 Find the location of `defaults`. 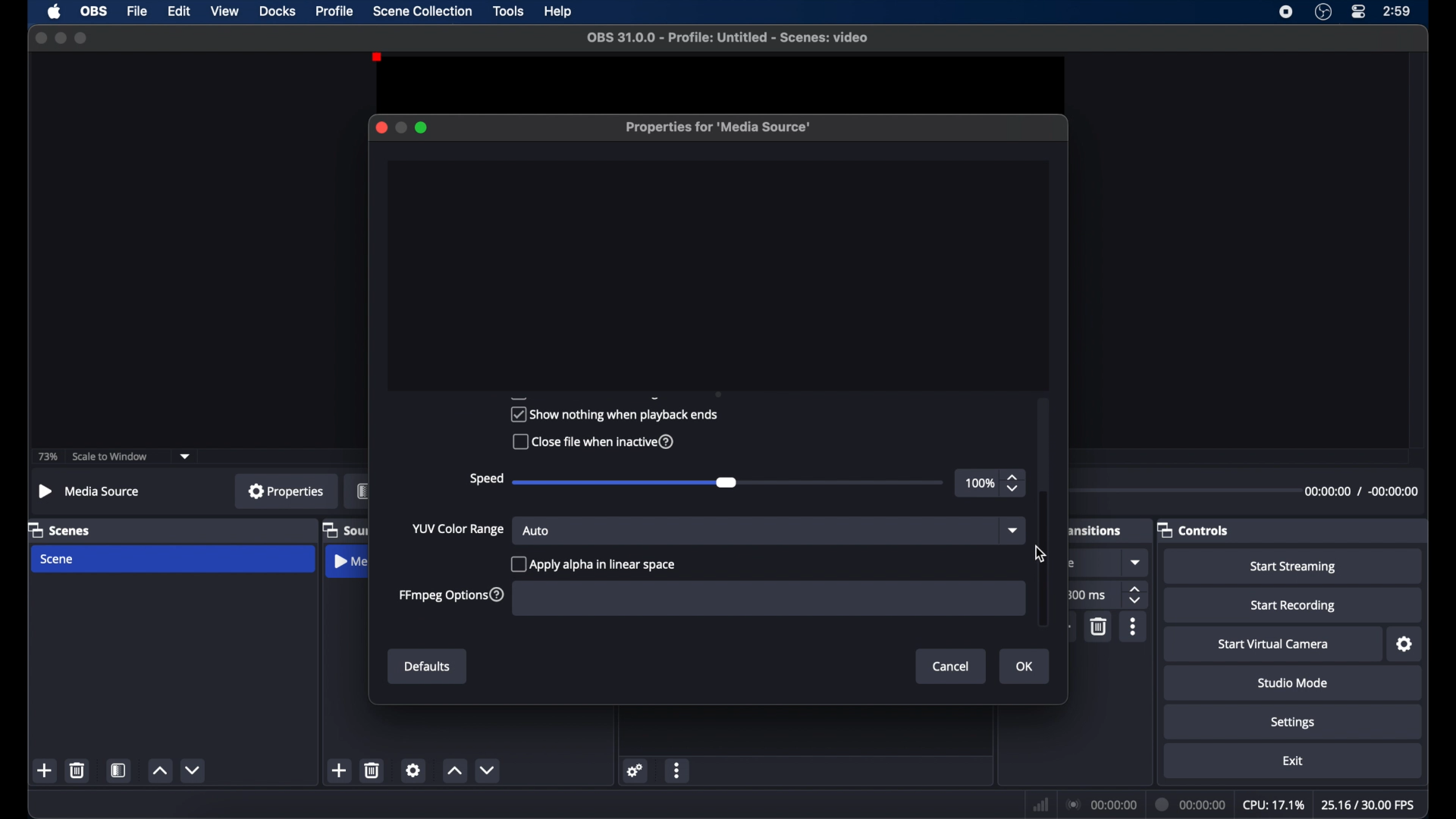

defaults is located at coordinates (428, 667).